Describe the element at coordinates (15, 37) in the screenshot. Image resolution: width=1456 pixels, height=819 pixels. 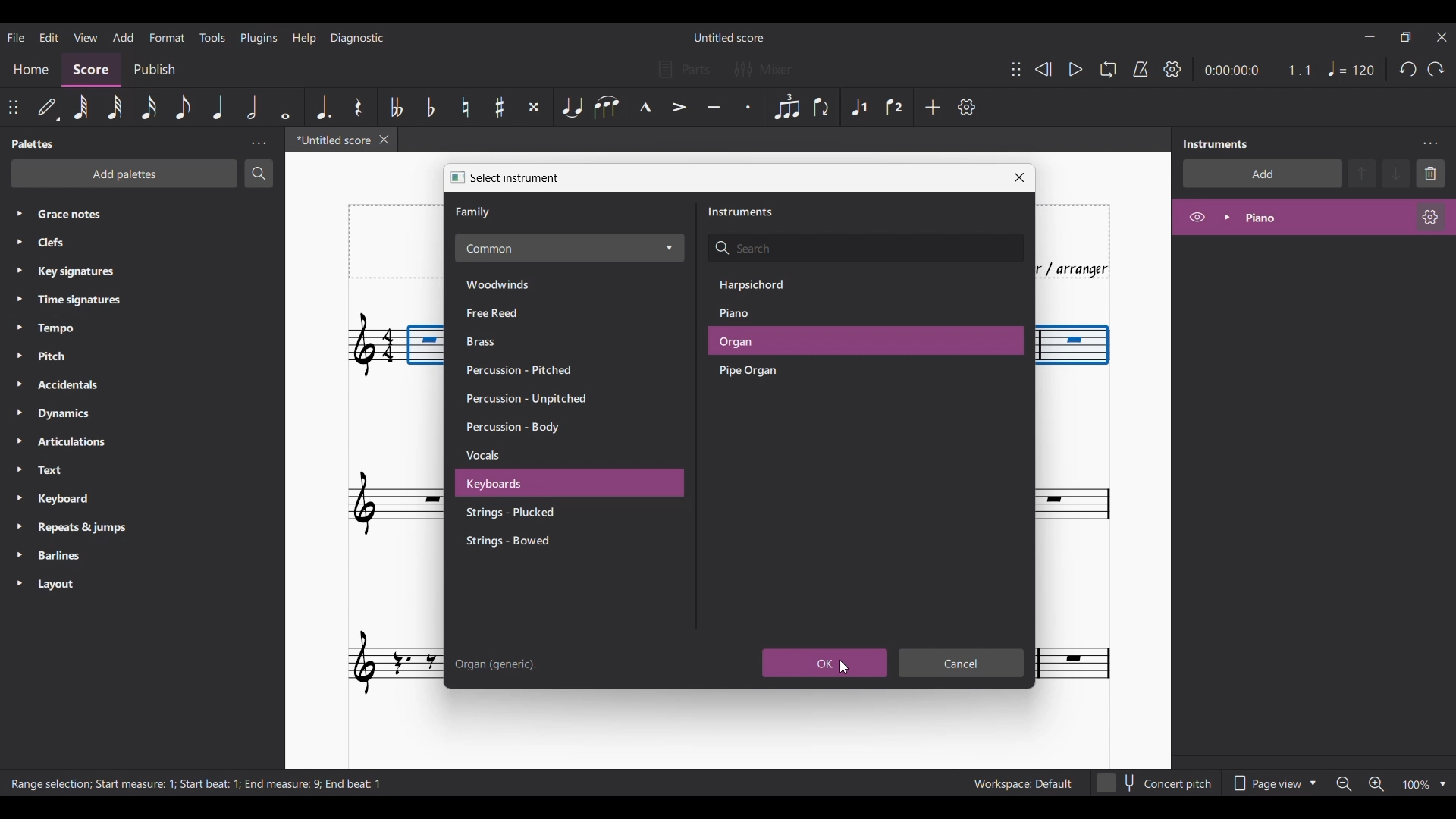
I see `File menu` at that location.